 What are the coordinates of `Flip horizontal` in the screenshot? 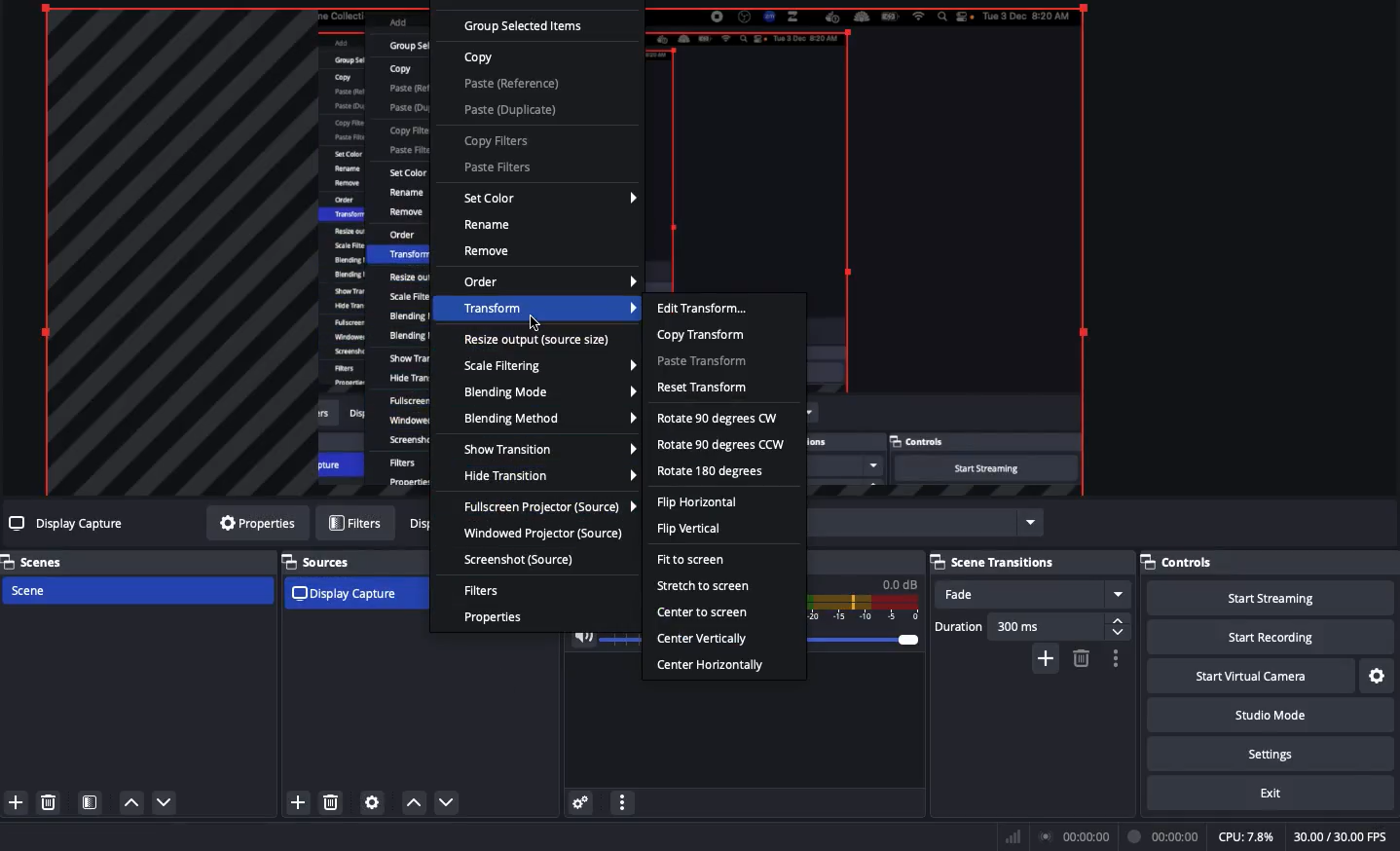 It's located at (697, 504).